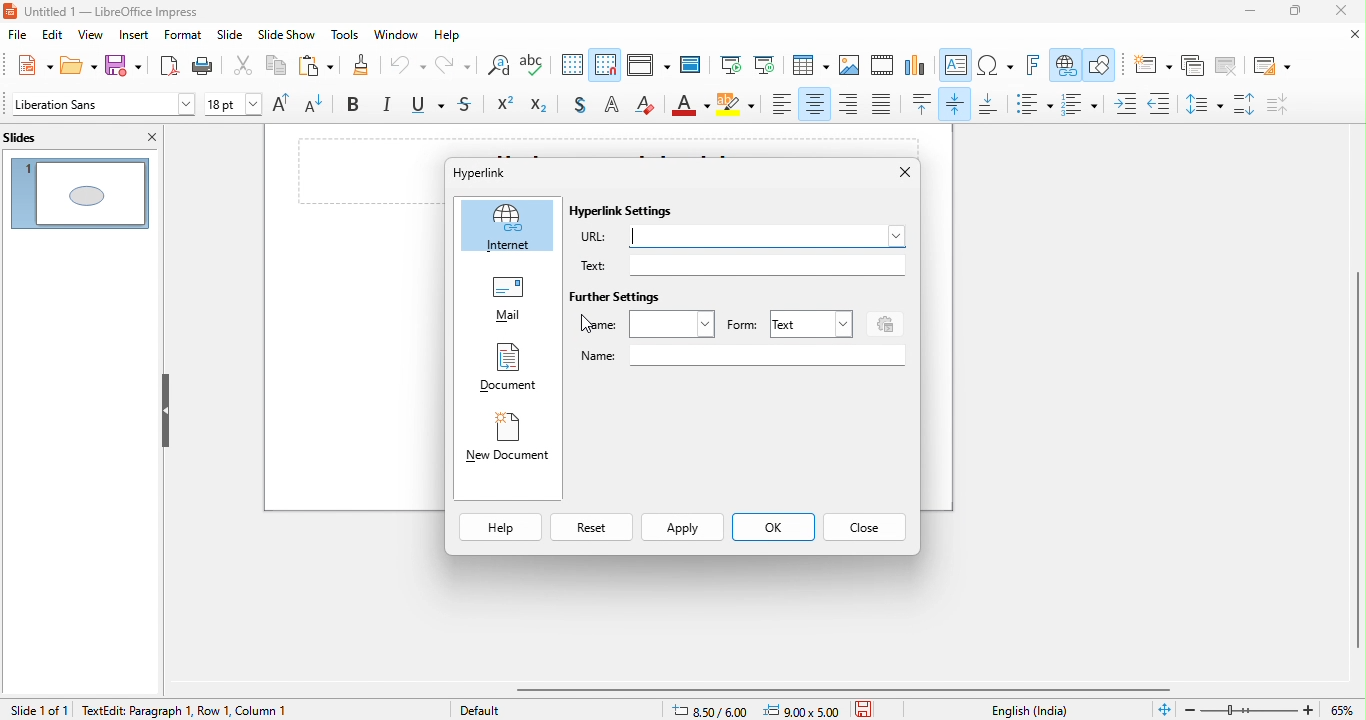 This screenshot has width=1366, height=720. I want to click on slide layout, so click(1269, 64).